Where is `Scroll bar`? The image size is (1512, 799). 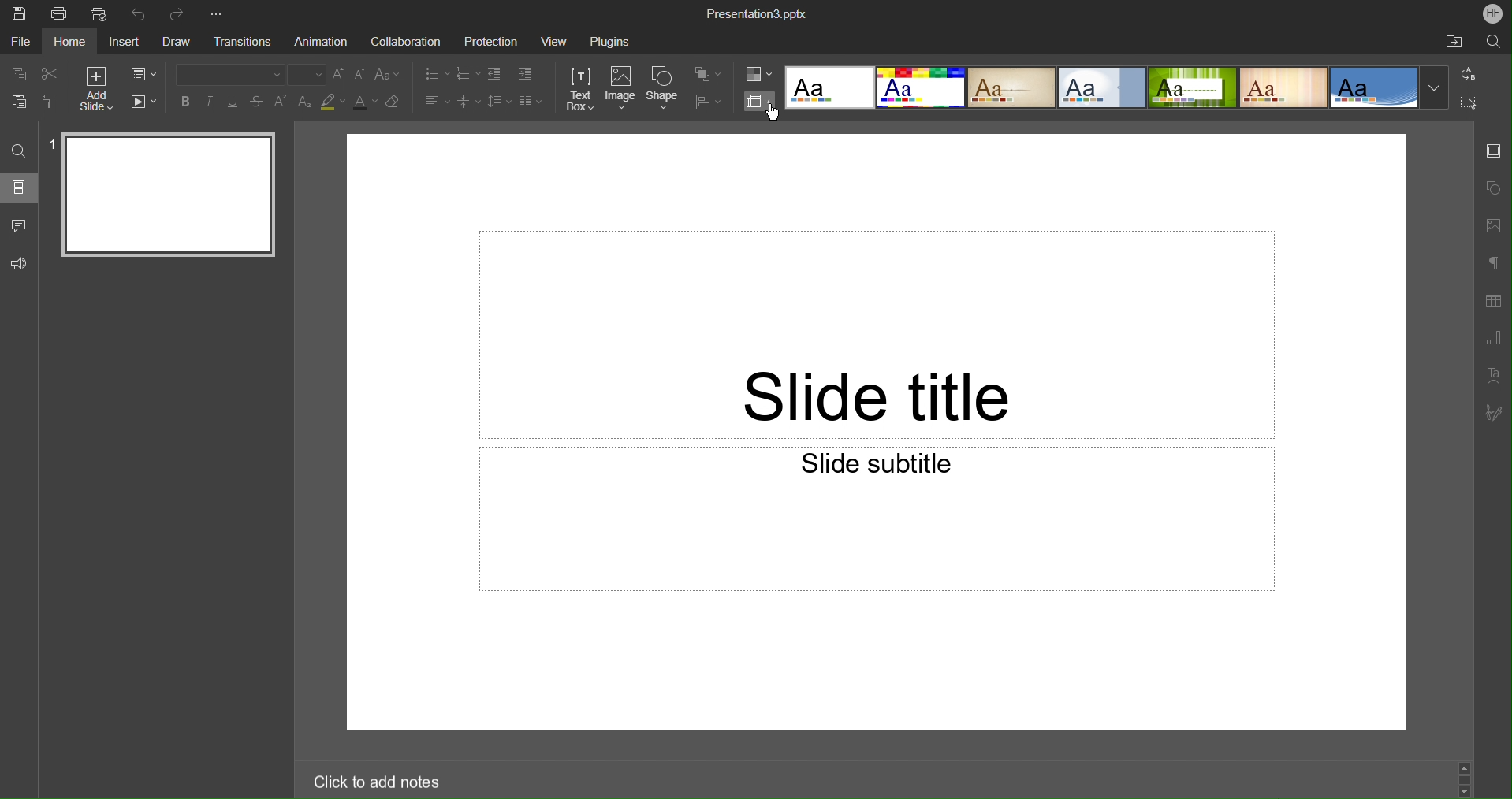 Scroll bar is located at coordinates (1465, 775).